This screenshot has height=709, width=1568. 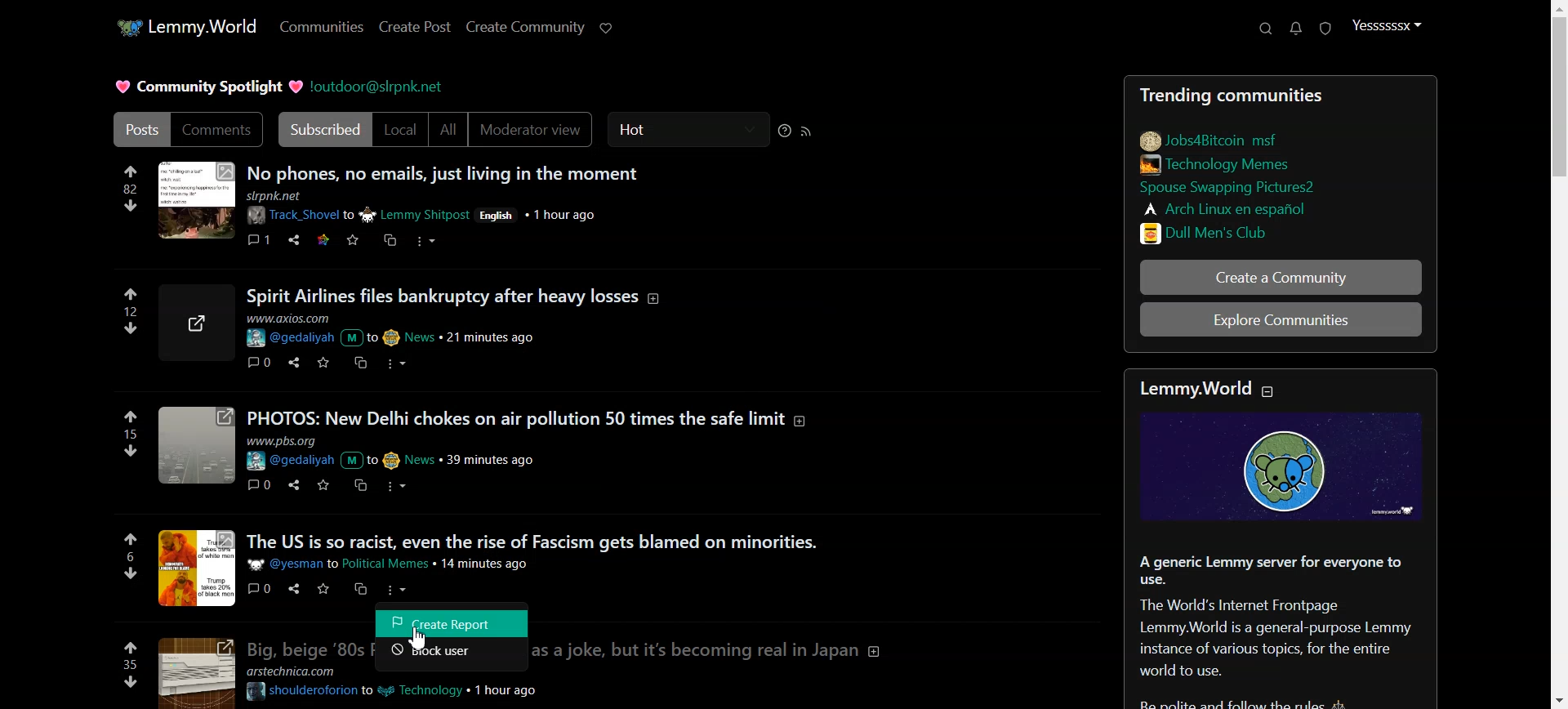 What do you see at coordinates (130, 189) in the screenshot?
I see `numbers` at bounding box center [130, 189].